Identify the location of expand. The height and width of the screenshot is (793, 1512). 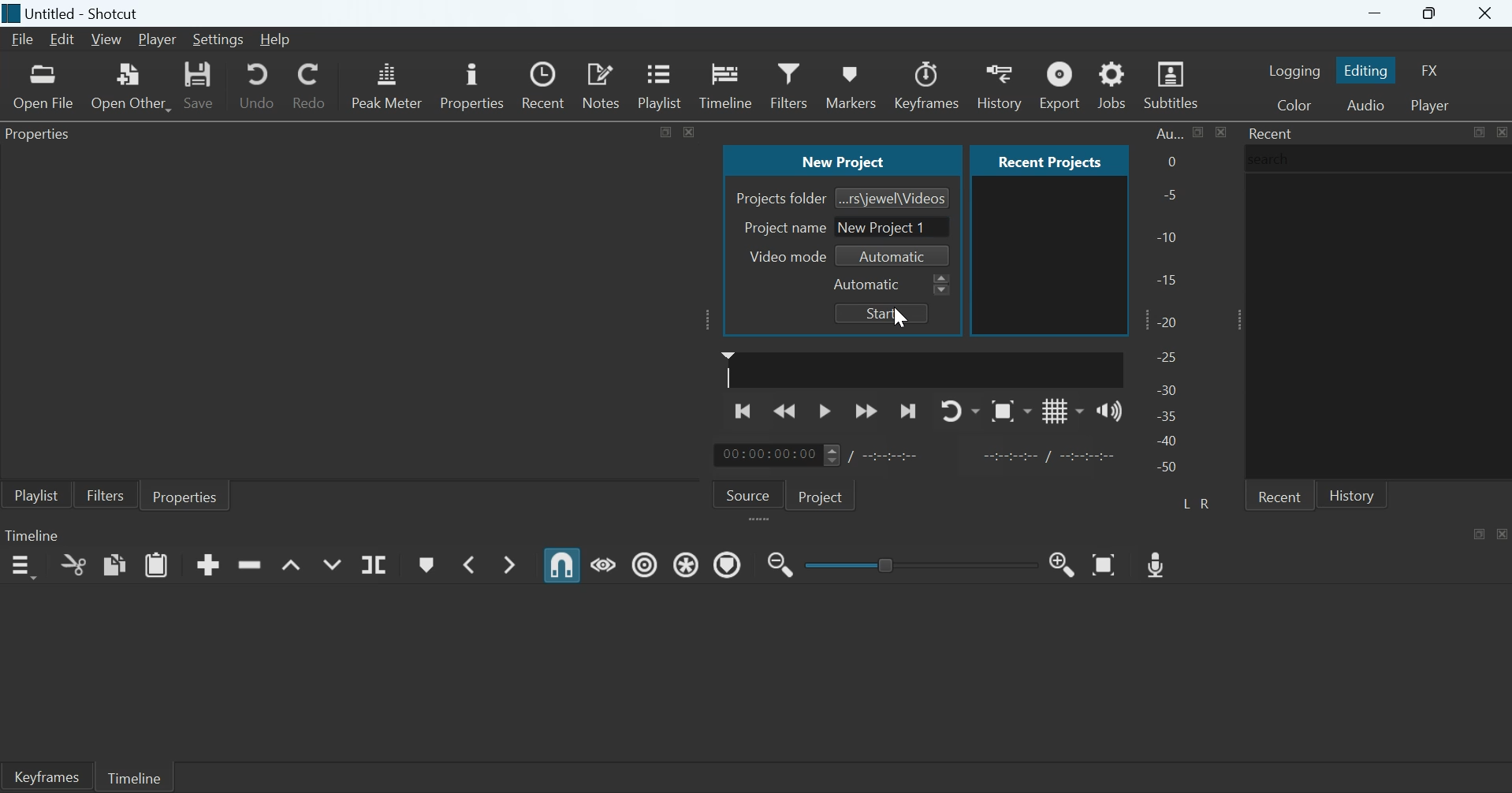
(762, 520).